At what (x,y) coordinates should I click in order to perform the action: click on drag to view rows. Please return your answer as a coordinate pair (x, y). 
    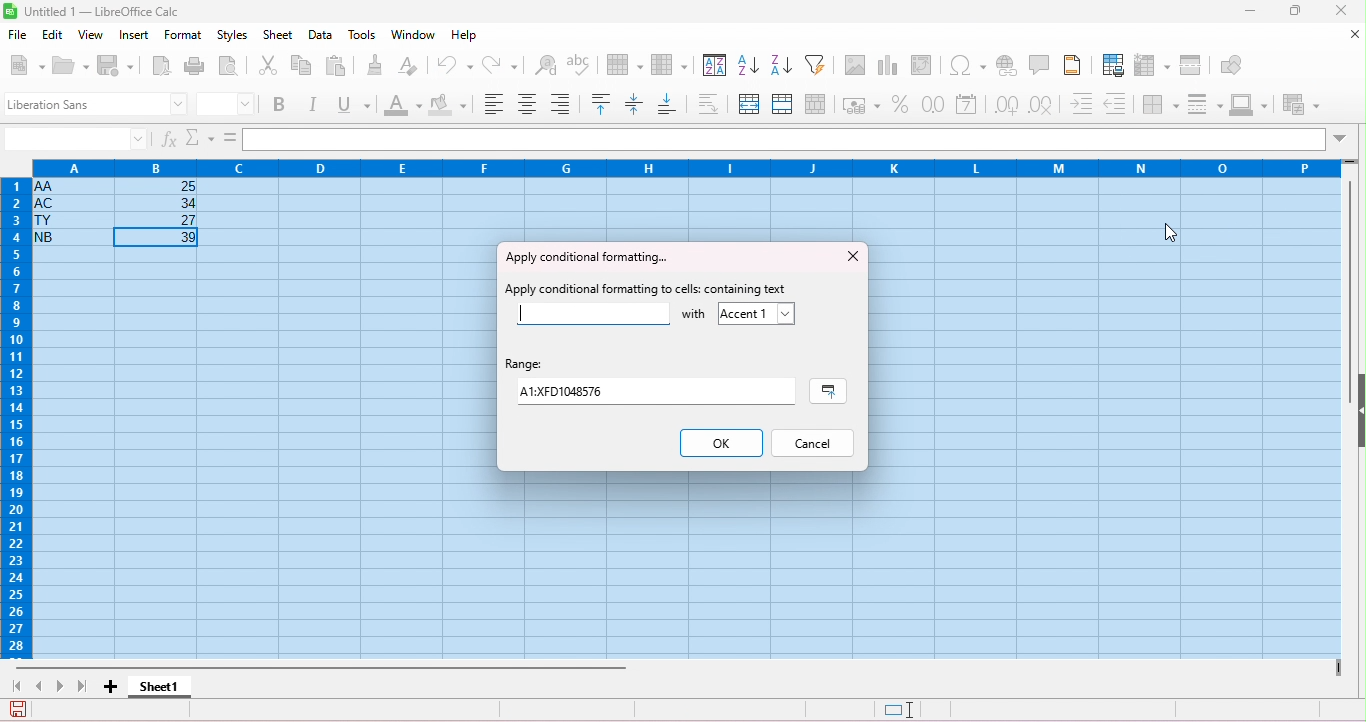
    Looking at the image, I should click on (1351, 162).